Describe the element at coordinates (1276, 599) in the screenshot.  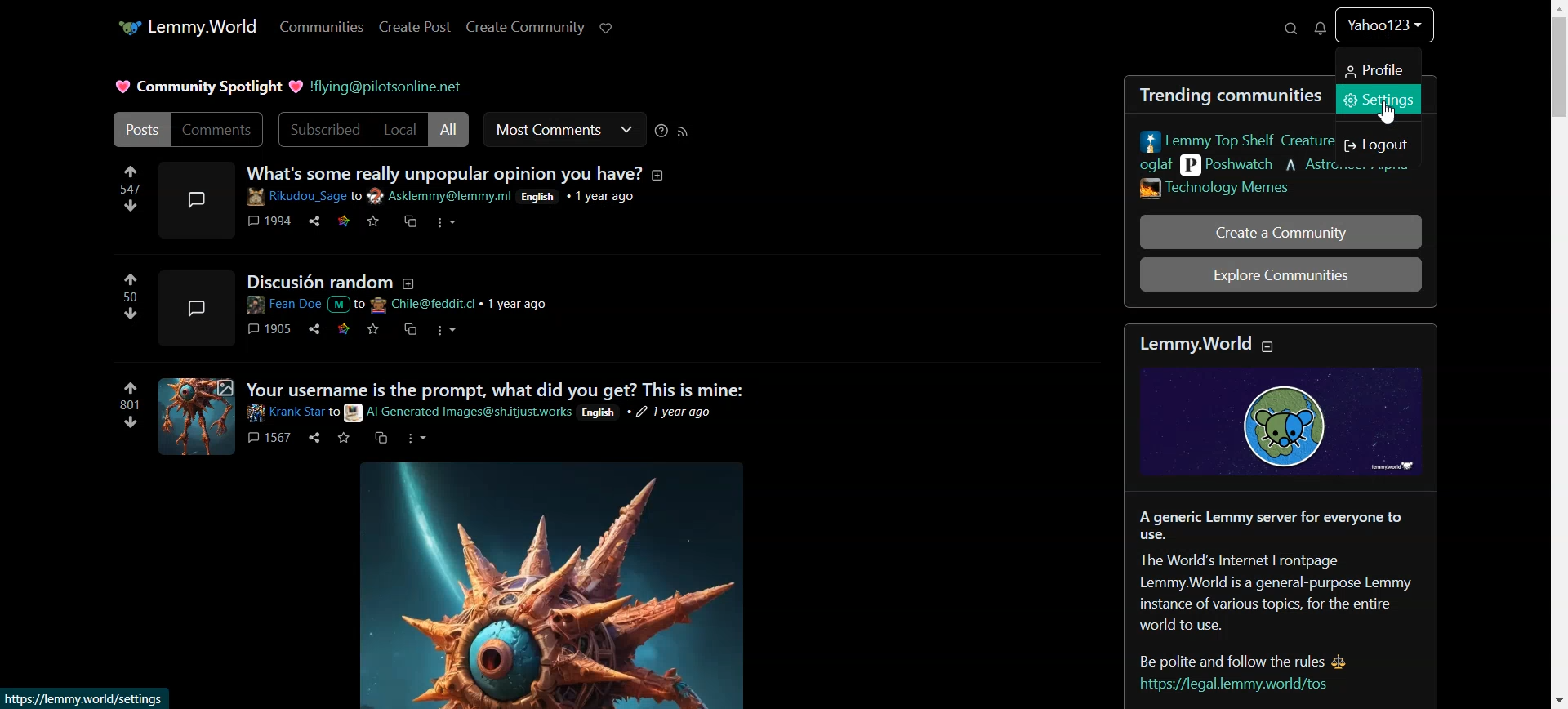
I see `Lemmy server guidelines` at that location.